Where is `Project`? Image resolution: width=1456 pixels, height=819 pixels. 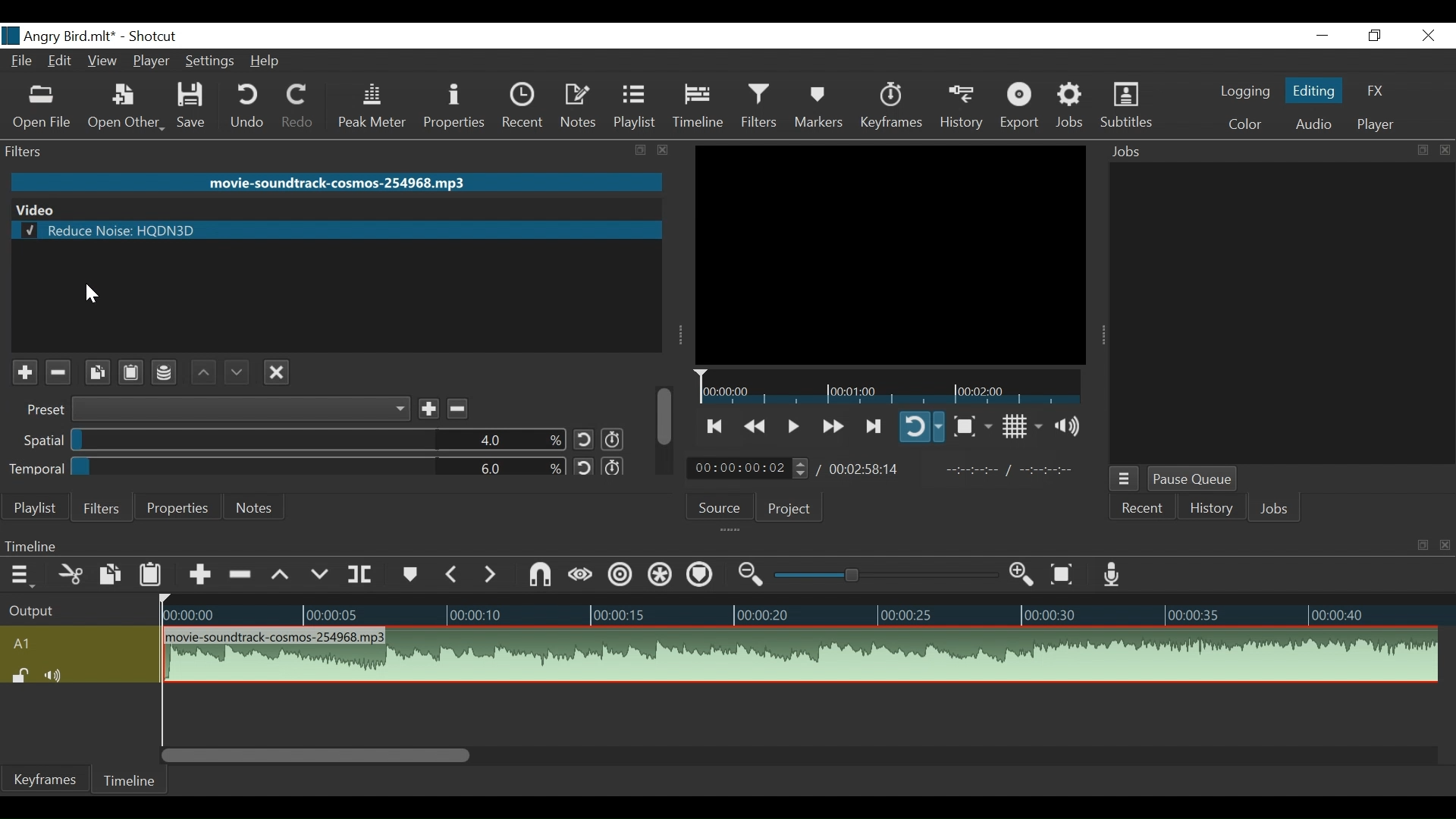
Project is located at coordinates (795, 507).